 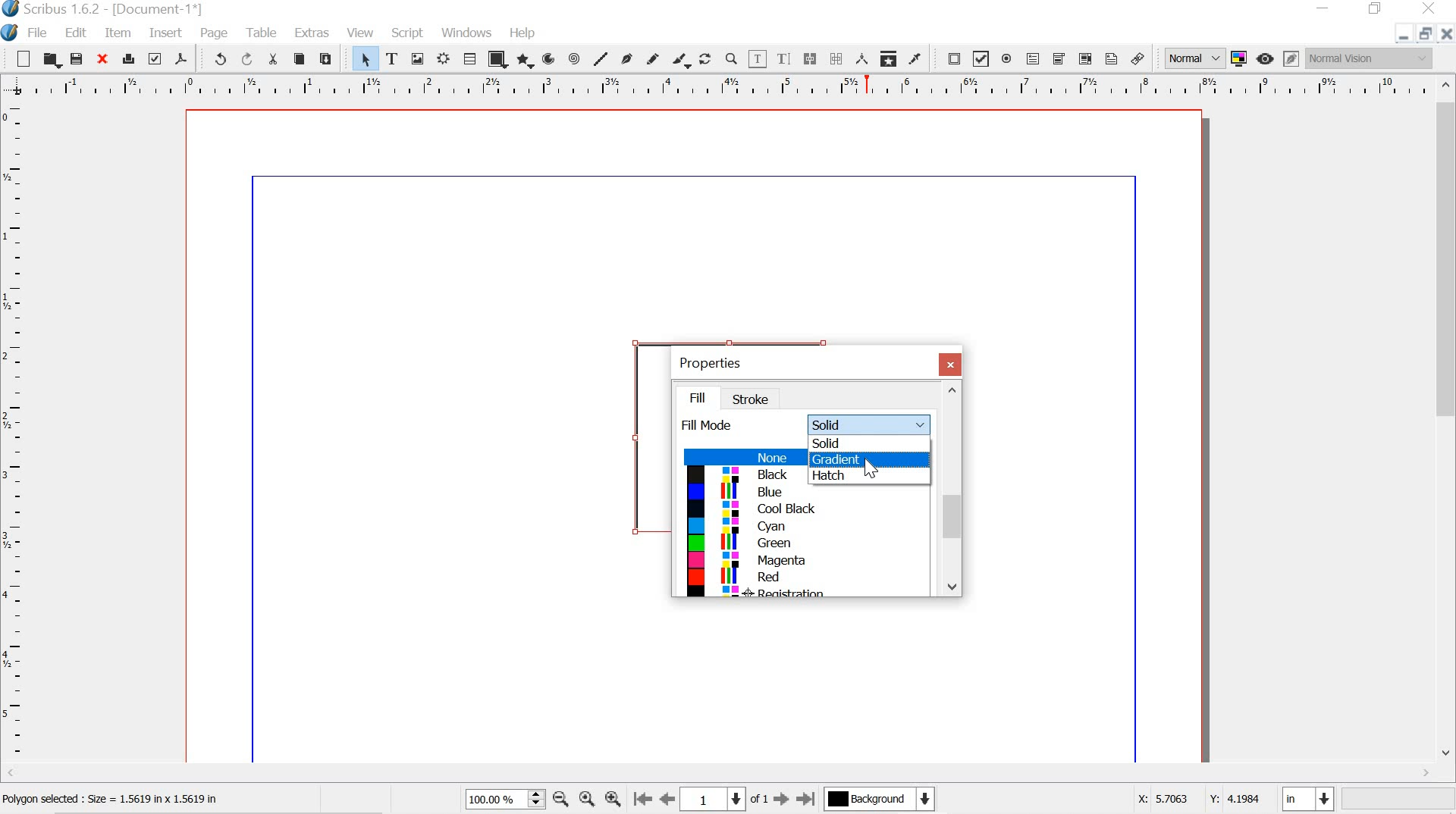 I want to click on cool black, so click(x=800, y=510).